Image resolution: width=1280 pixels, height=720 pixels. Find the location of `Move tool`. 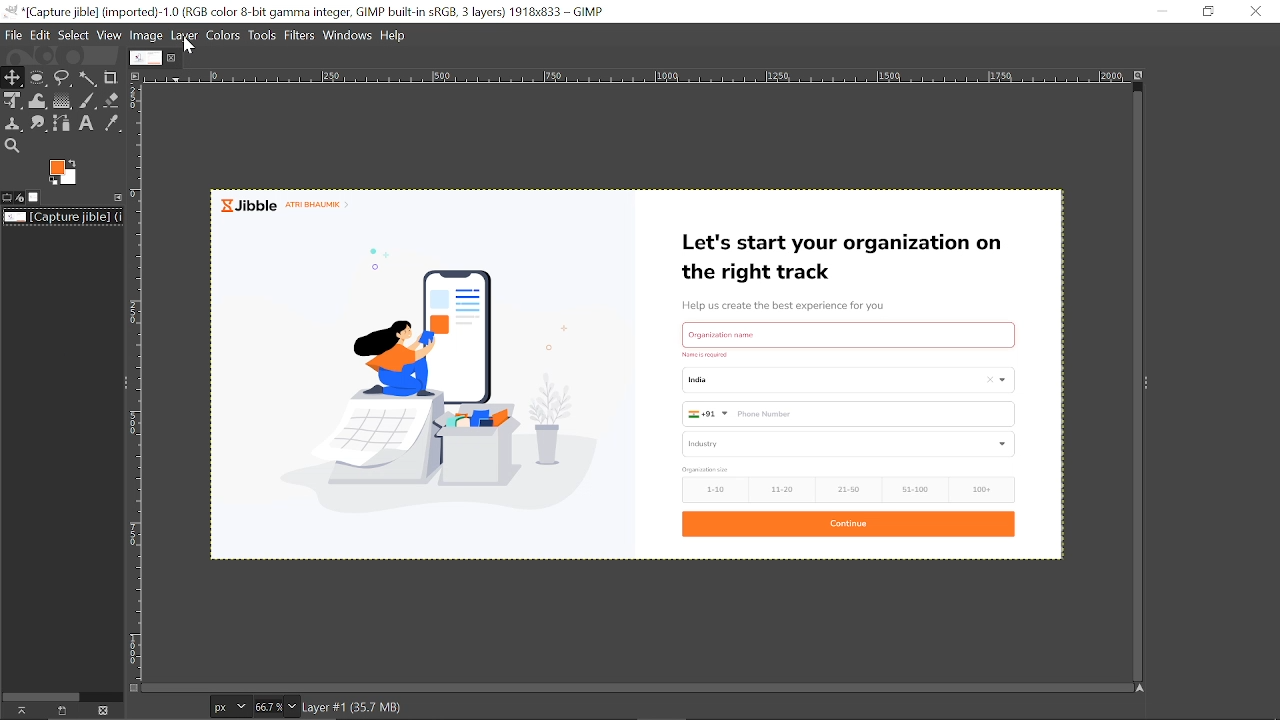

Move tool is located at coordinates (13, 77).